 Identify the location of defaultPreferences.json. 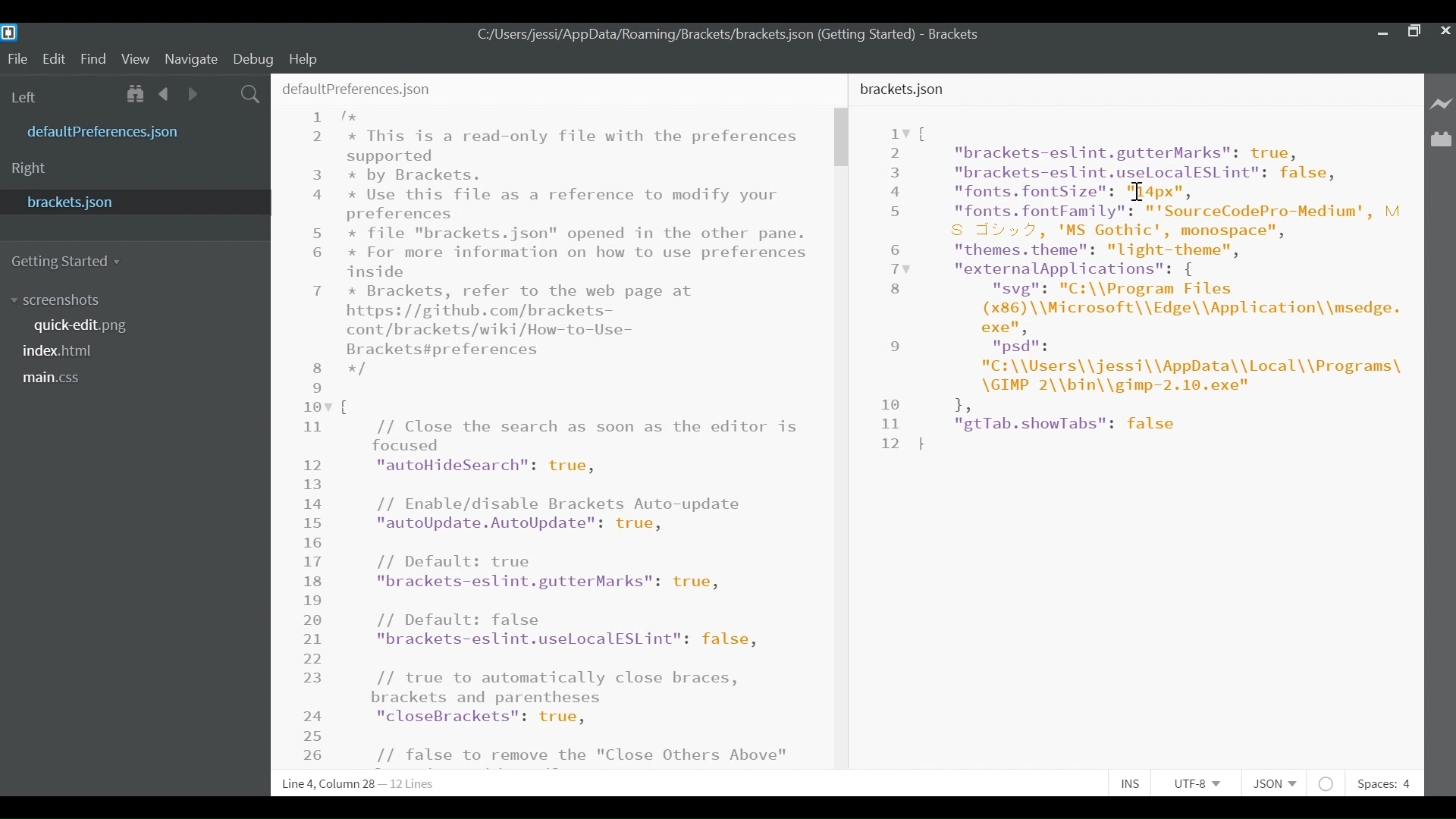
(358, 89).